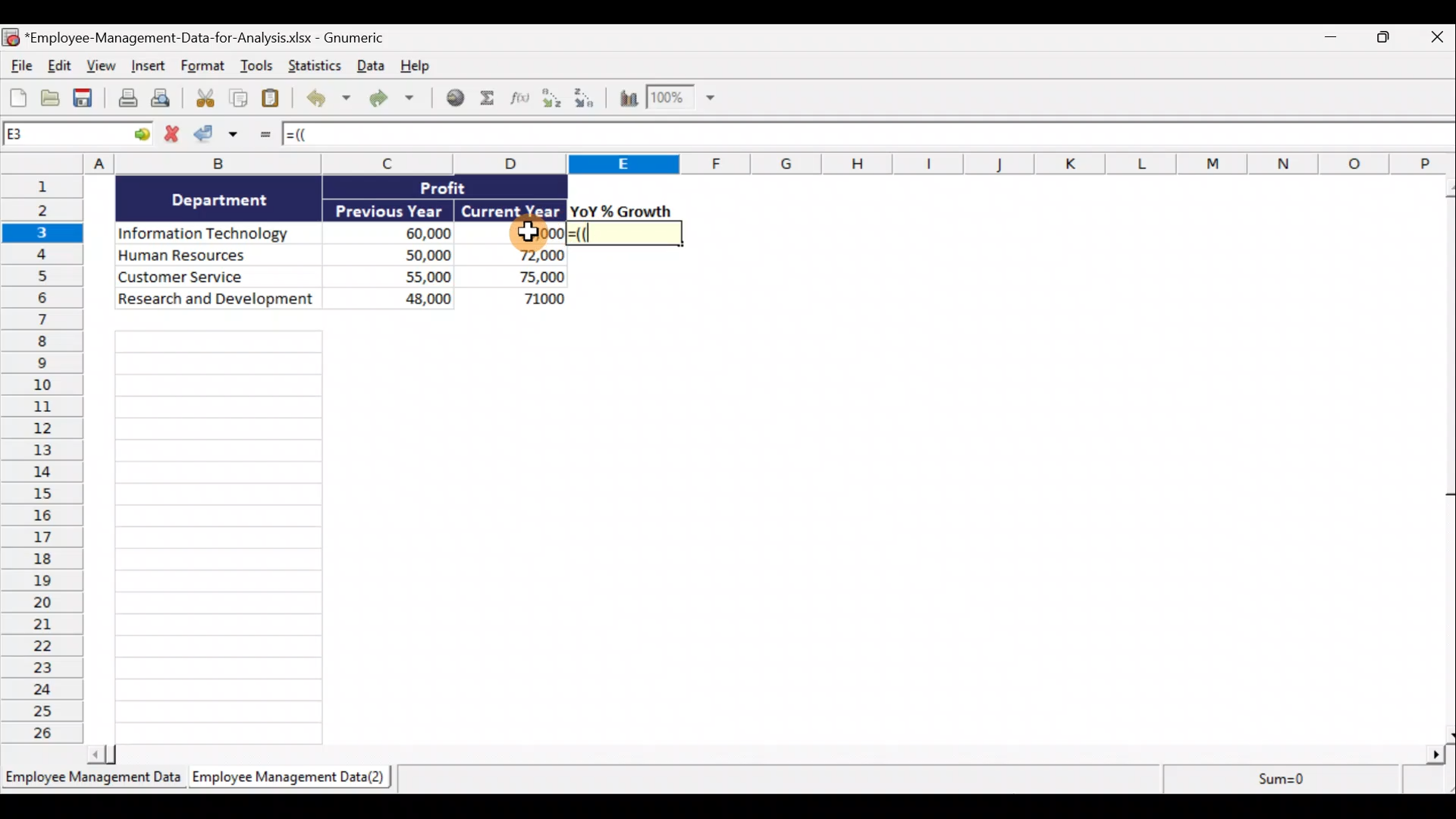 This screenshot has width=1456, height=819. Describe the element at coordinates (146, 67) in the screenshot. I see `Insert` at that location.